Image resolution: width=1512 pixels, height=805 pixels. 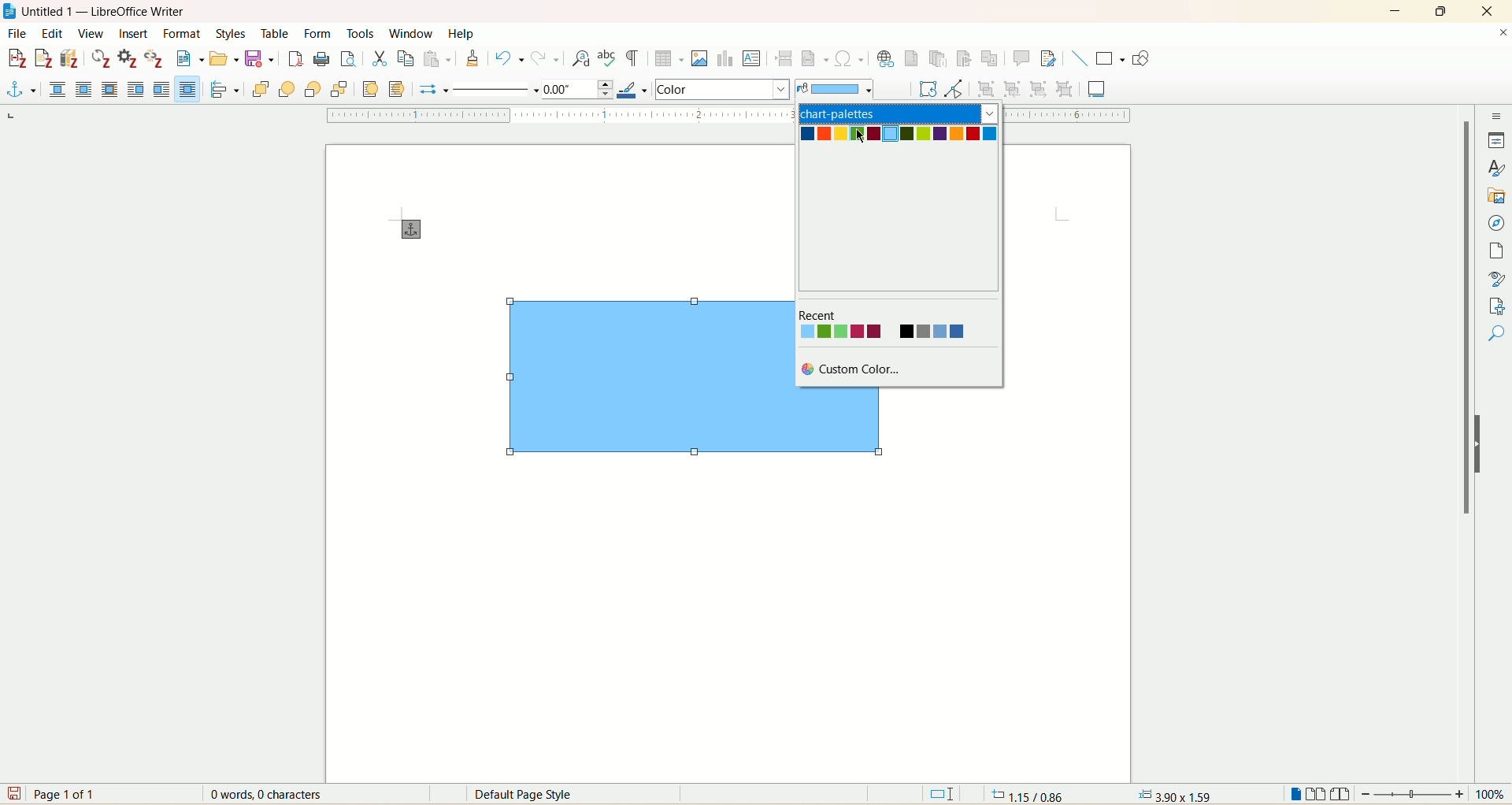 I want to click on page number, so click(x=68, y=795).